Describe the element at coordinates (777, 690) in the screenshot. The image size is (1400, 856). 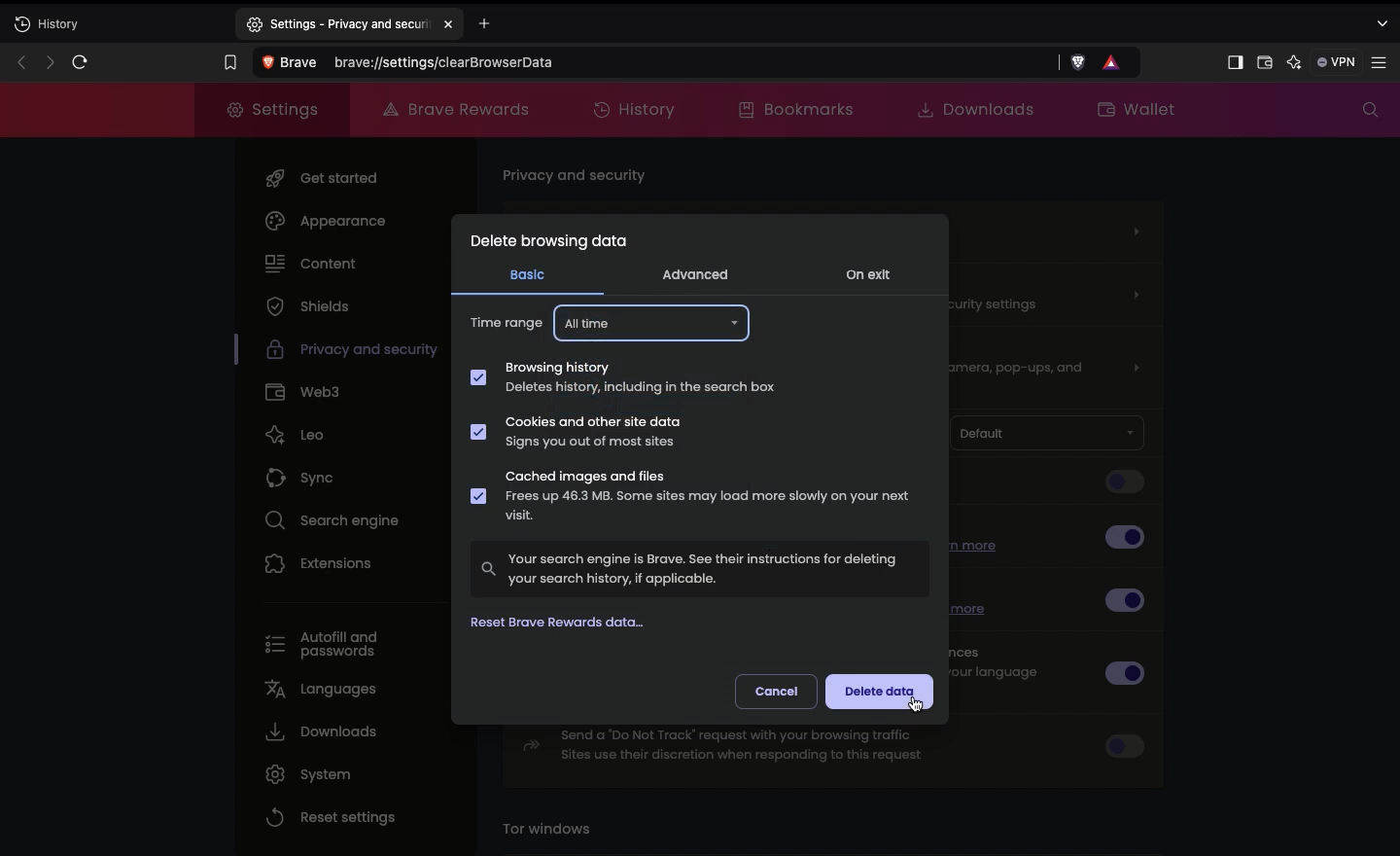
I see `Cancel` at that location.